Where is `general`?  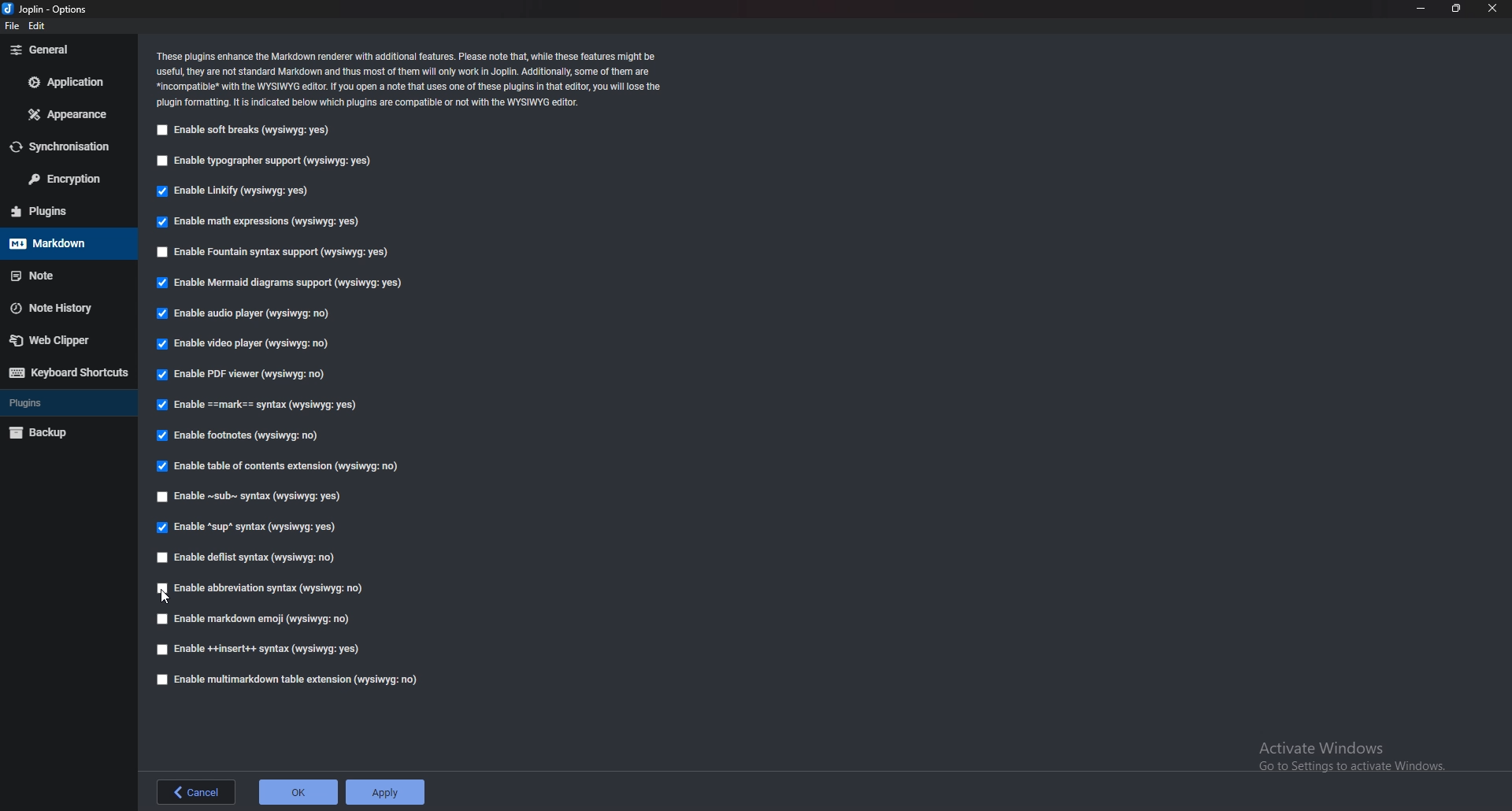
general is located at coordinates (66, 53).